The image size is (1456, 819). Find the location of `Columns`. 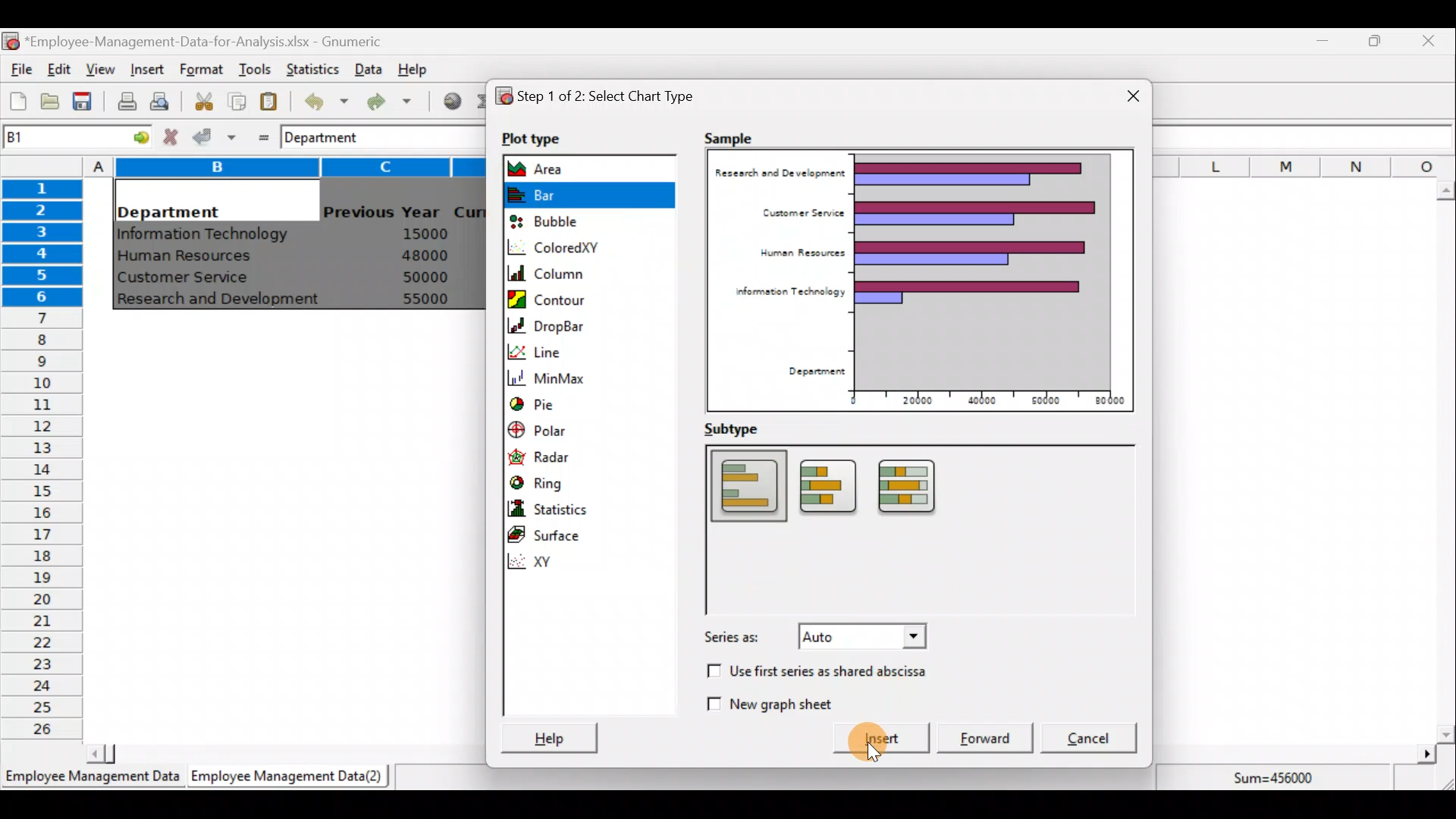

Columns is located at coordinates (278, 165).